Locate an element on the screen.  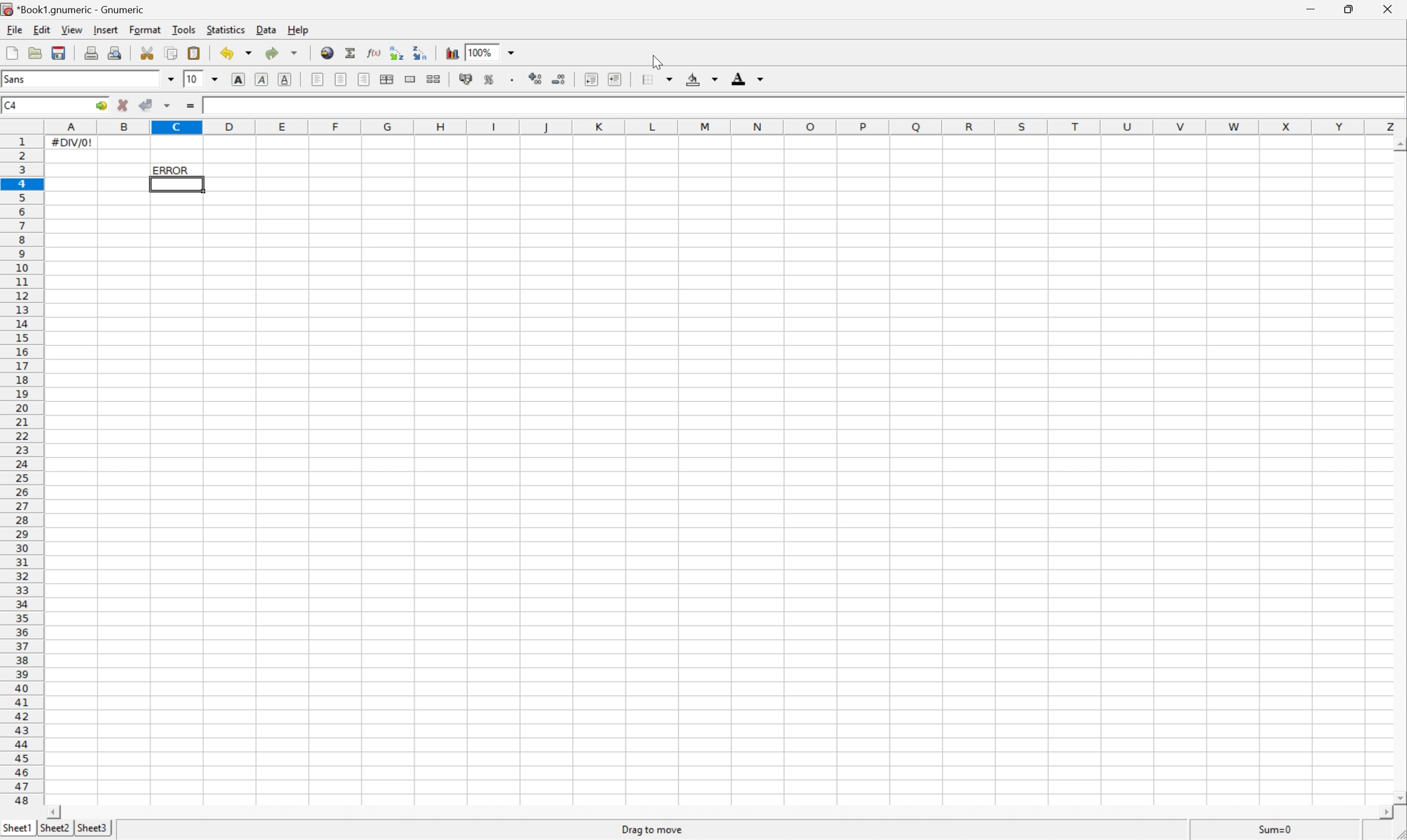
Borders is located at coordinates (648, 79).